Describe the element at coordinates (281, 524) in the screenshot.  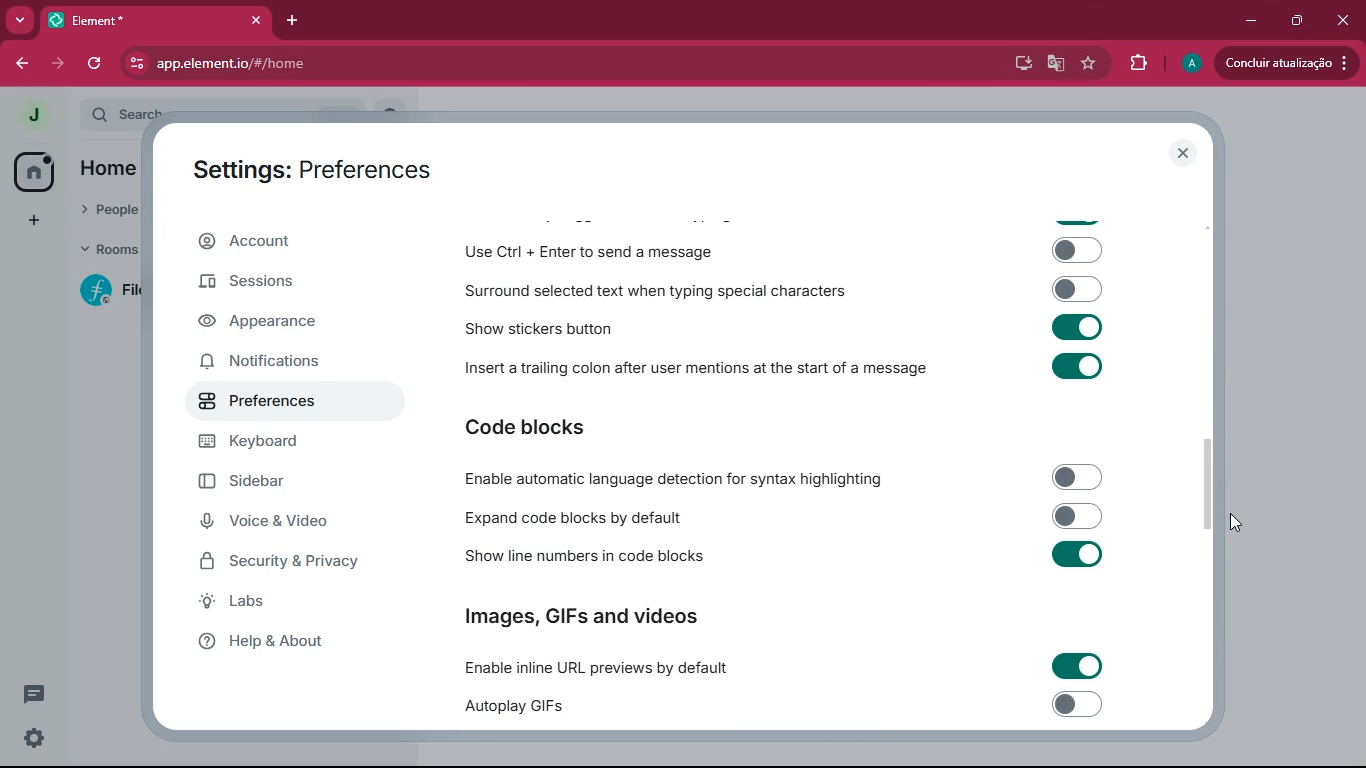
I see `voice & video` at that location.